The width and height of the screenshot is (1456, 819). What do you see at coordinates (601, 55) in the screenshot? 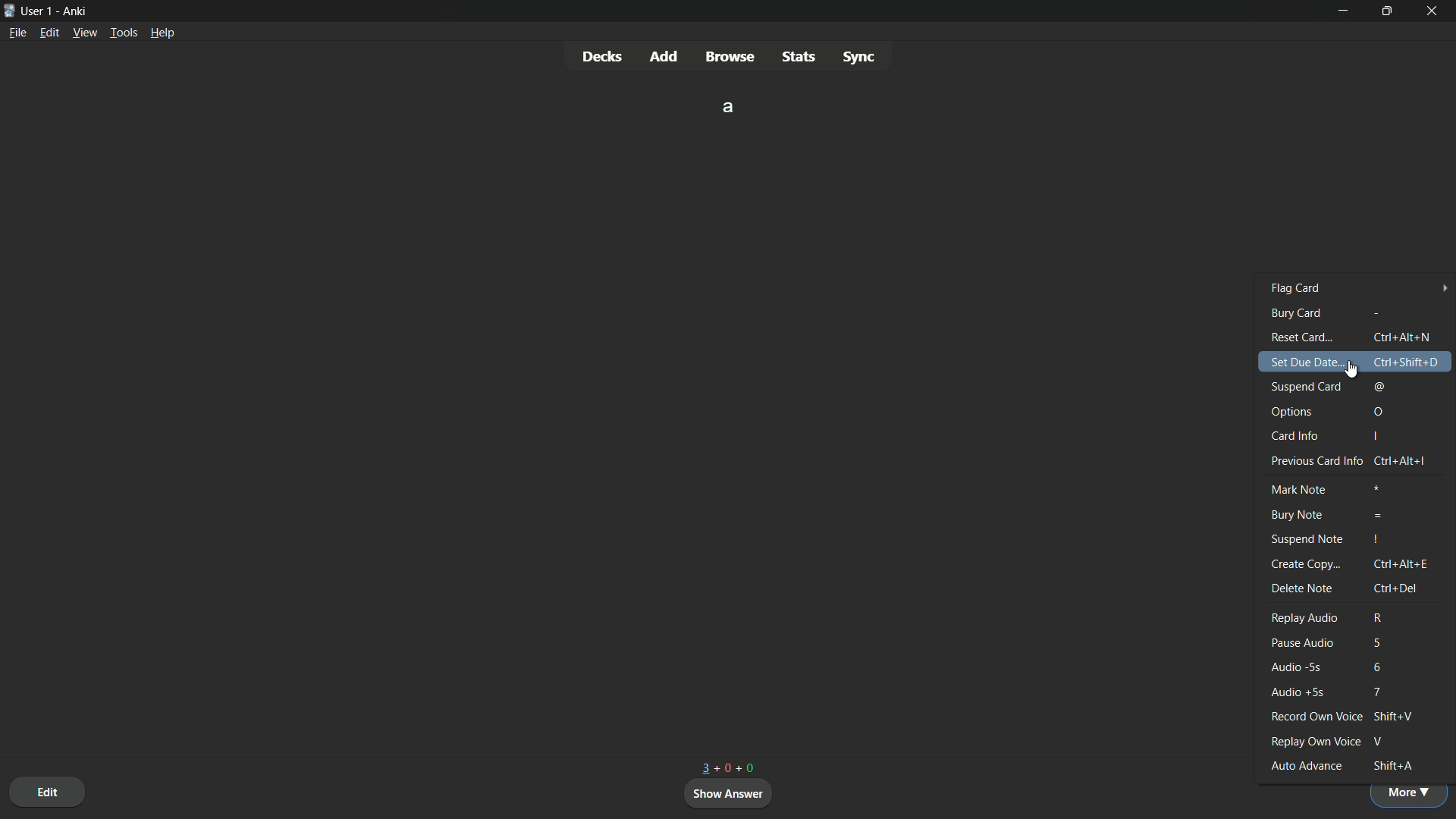
I see `decks` at bounding box center [601, 55].